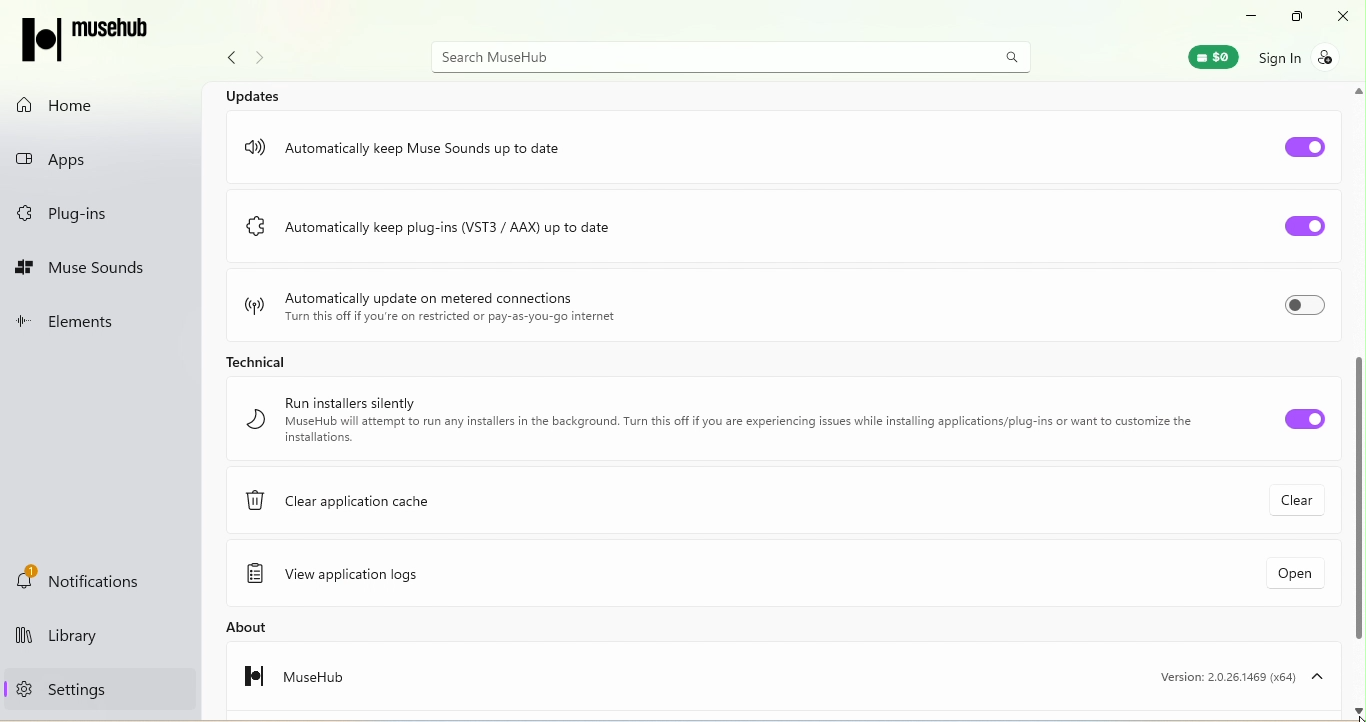 This screenshot has width=1366, height=722. Describe the element at coordinates (226, 61) in the screenshot. I see `Navigate back` at that location.